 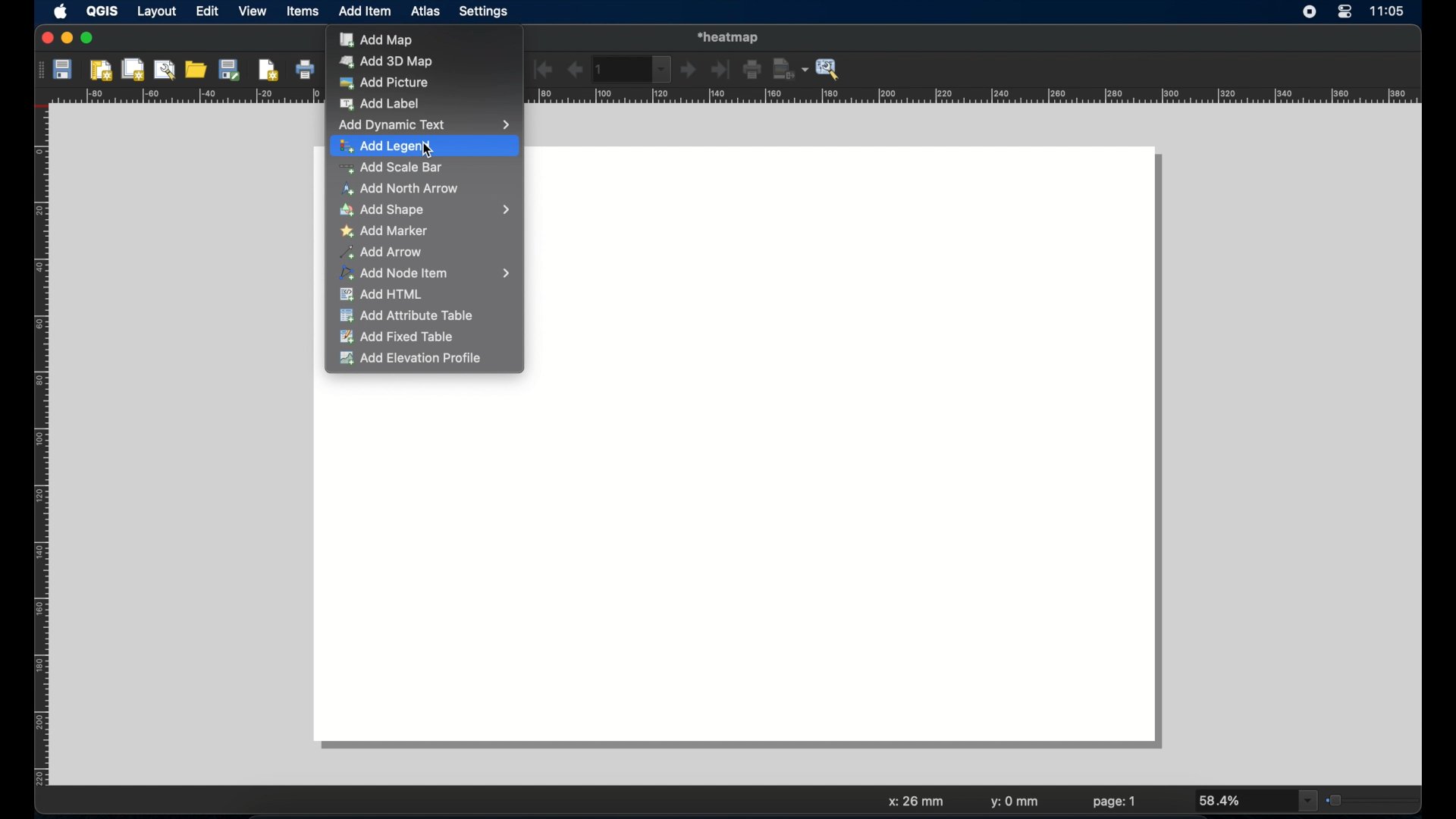 I want to click on apple icon, so click(x=59, y=11).